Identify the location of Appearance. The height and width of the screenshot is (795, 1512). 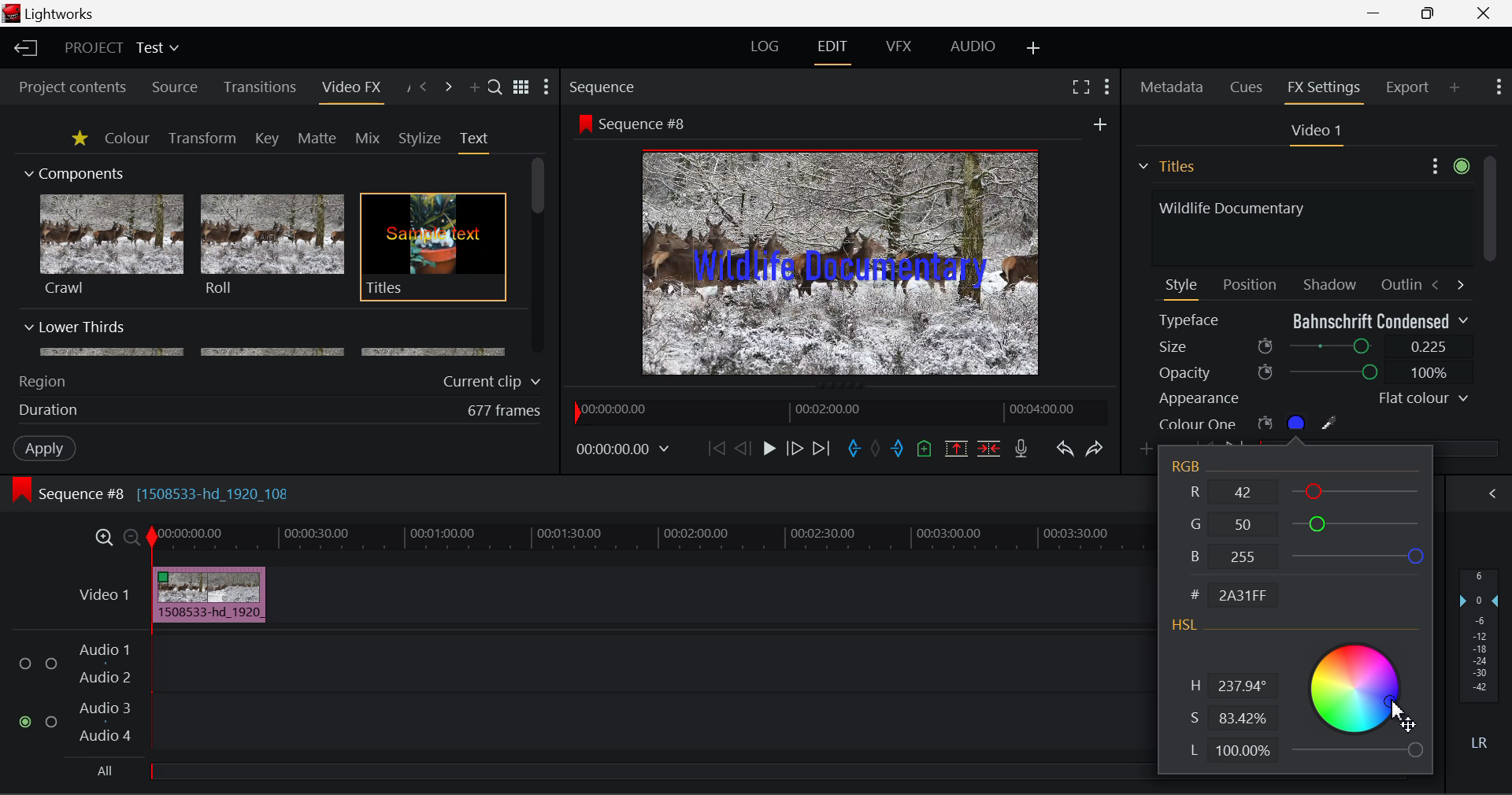
(1312, 398).